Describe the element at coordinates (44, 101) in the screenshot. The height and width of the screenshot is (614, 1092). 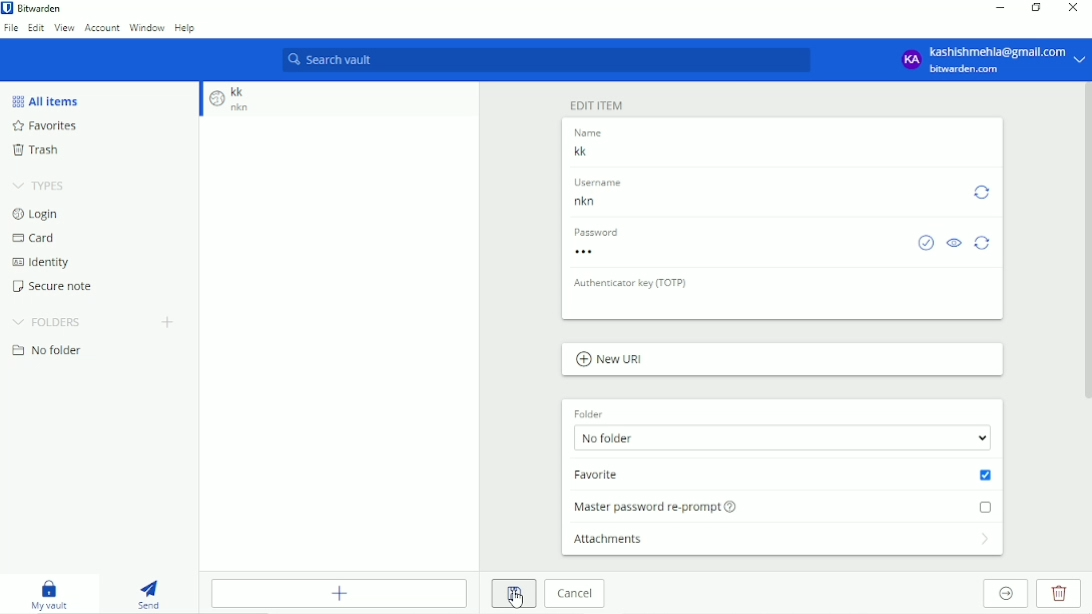
I see `All Items` at that location.